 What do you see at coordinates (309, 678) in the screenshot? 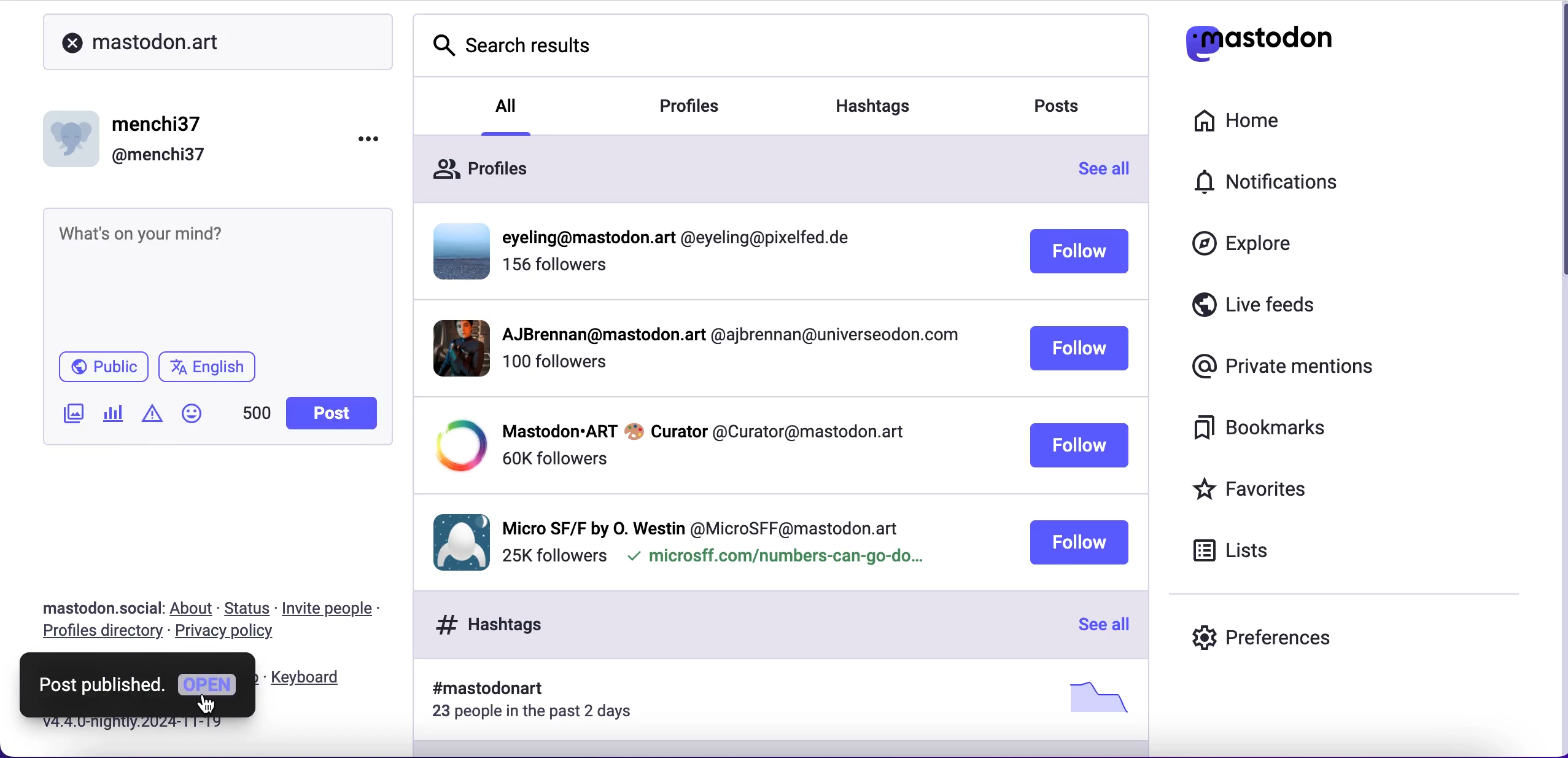
I see `keyboard` at bounding box center [309, 678].